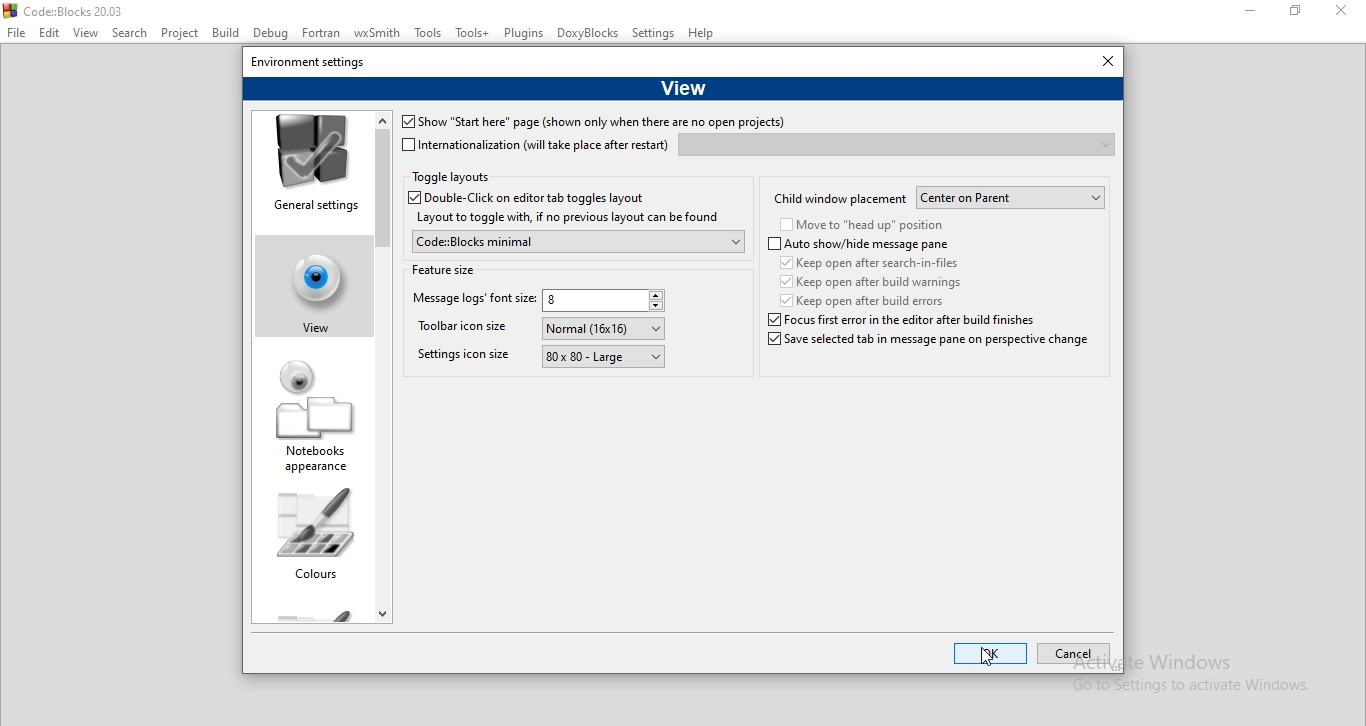 Image resolution: width=1366 pixels, height=726 pixels. What do you see at coordinates (67, 10) in the screenshot?
I see `Code :: Blocks 20.03` at bounding box center [67, 10].